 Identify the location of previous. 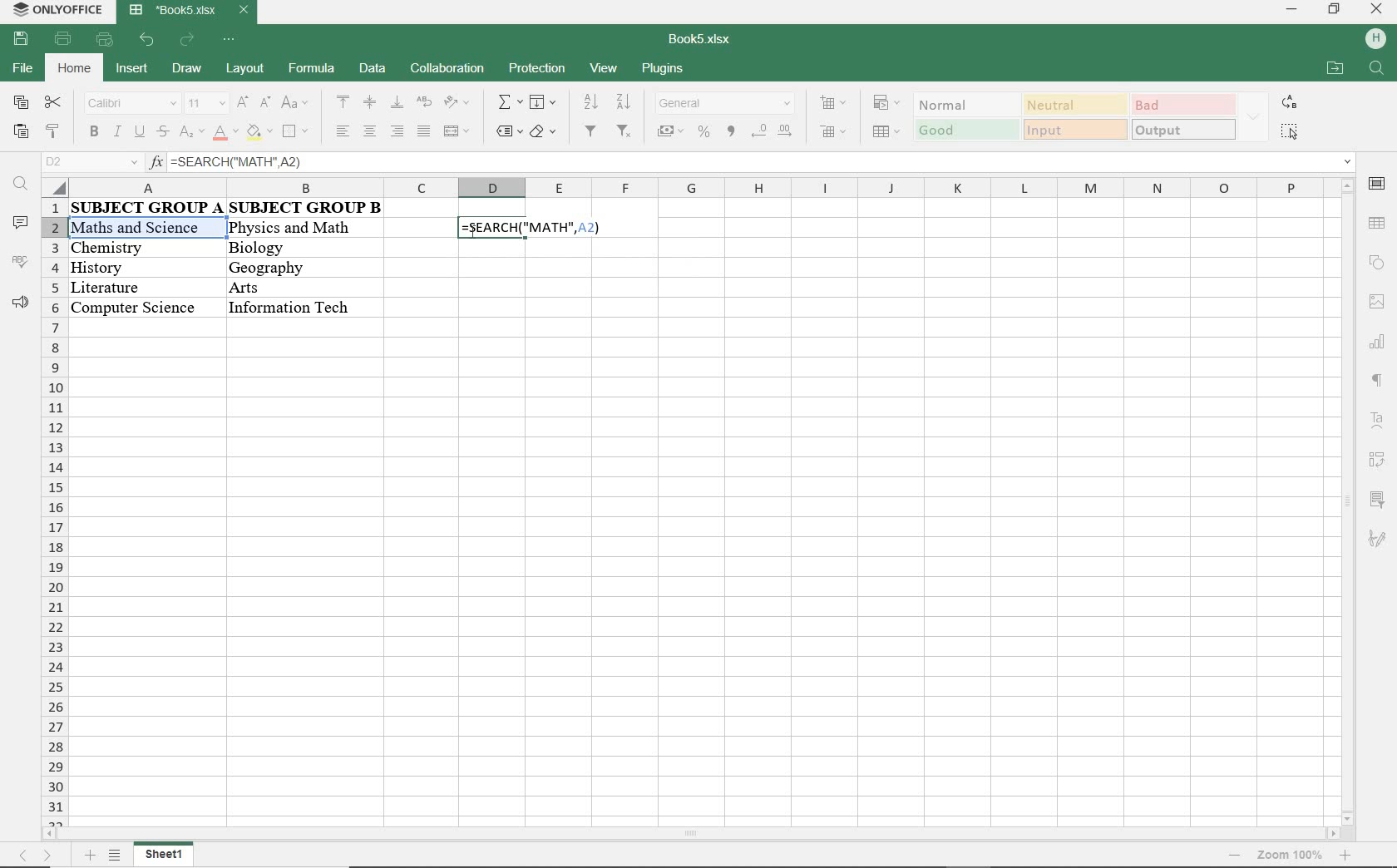
(17, 857).